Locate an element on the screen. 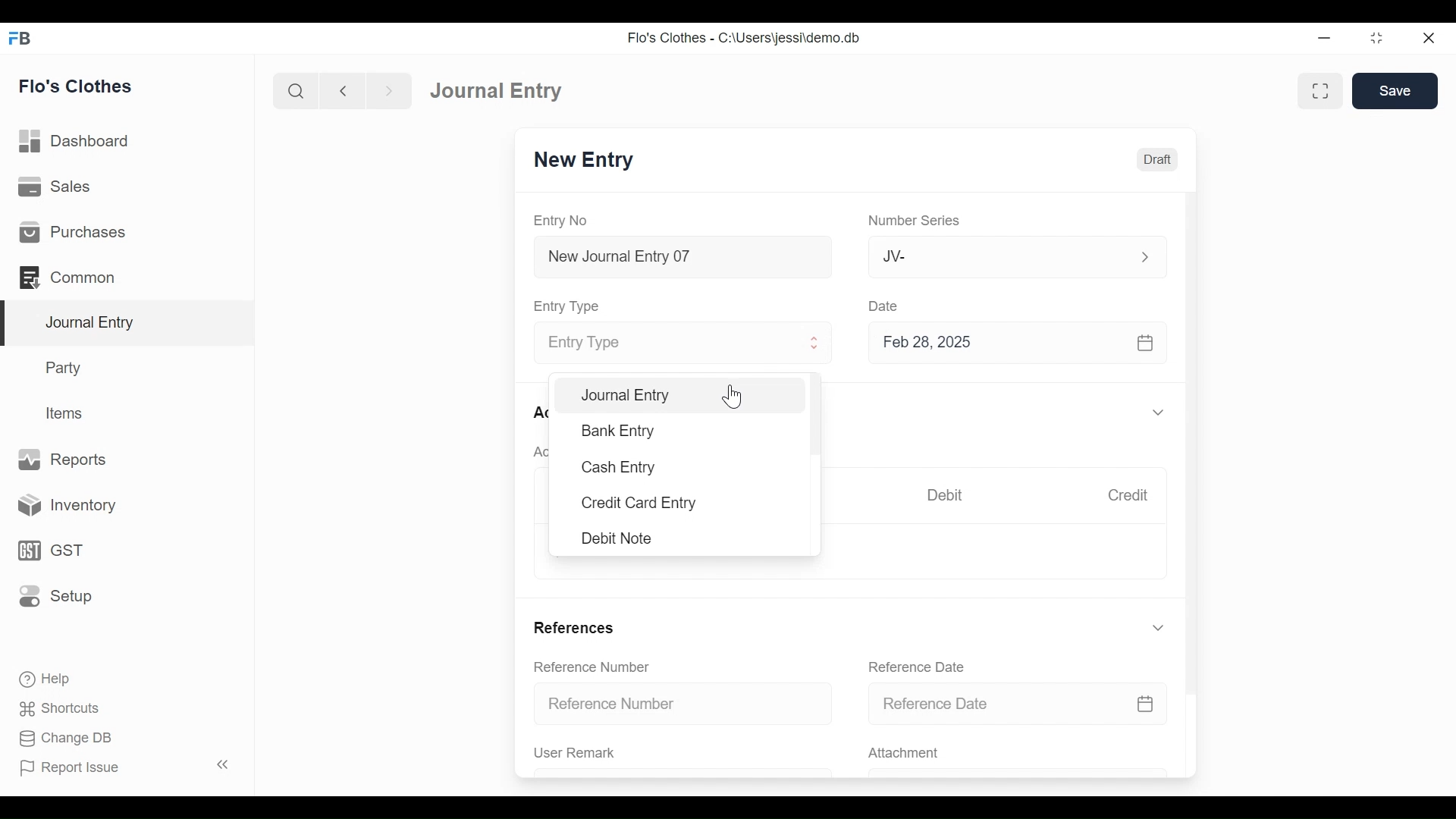 Image resolution: width=1456 pixels, height=819 pixels. Save is located at coordinates (1395, 90).